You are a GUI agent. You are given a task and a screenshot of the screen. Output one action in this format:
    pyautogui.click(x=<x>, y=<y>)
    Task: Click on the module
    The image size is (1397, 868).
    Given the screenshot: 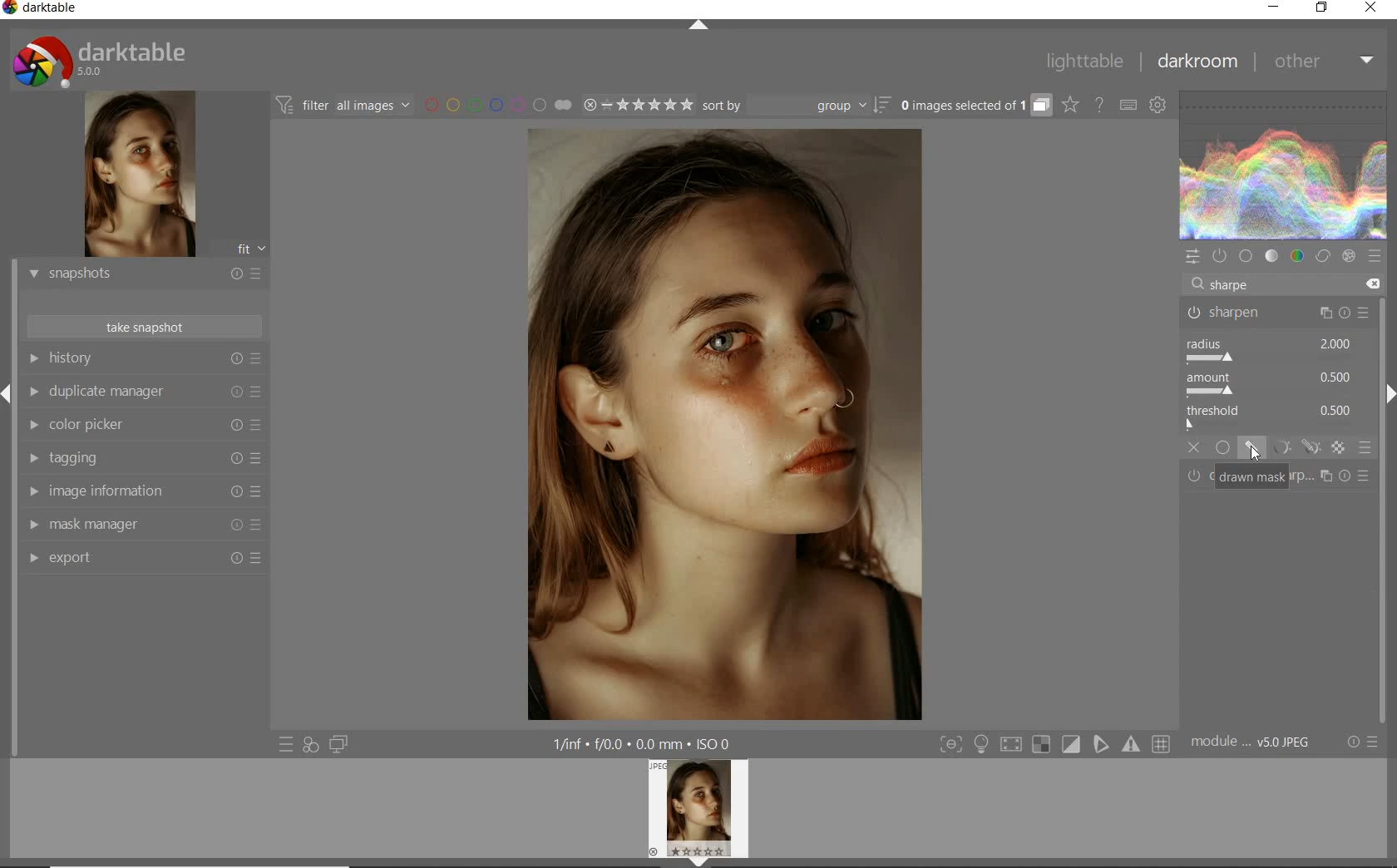 What is the action you would take?
    pyautogui.click(x=1252, y=742)
    